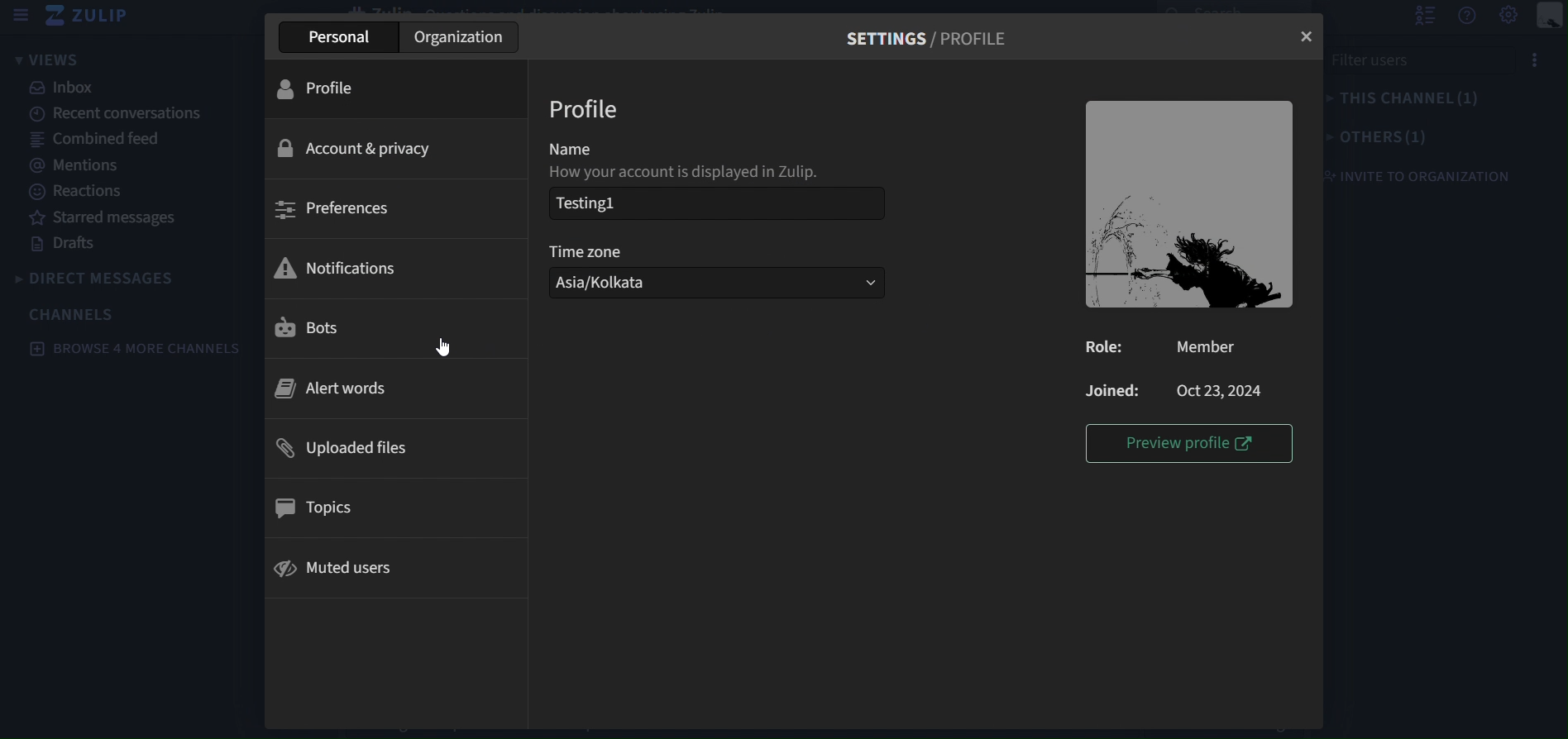 This screenshot has width=1568, height=739. Describe the element at coordinates (1428, 176) in the screenshot. I see `invite to organization` at that location.